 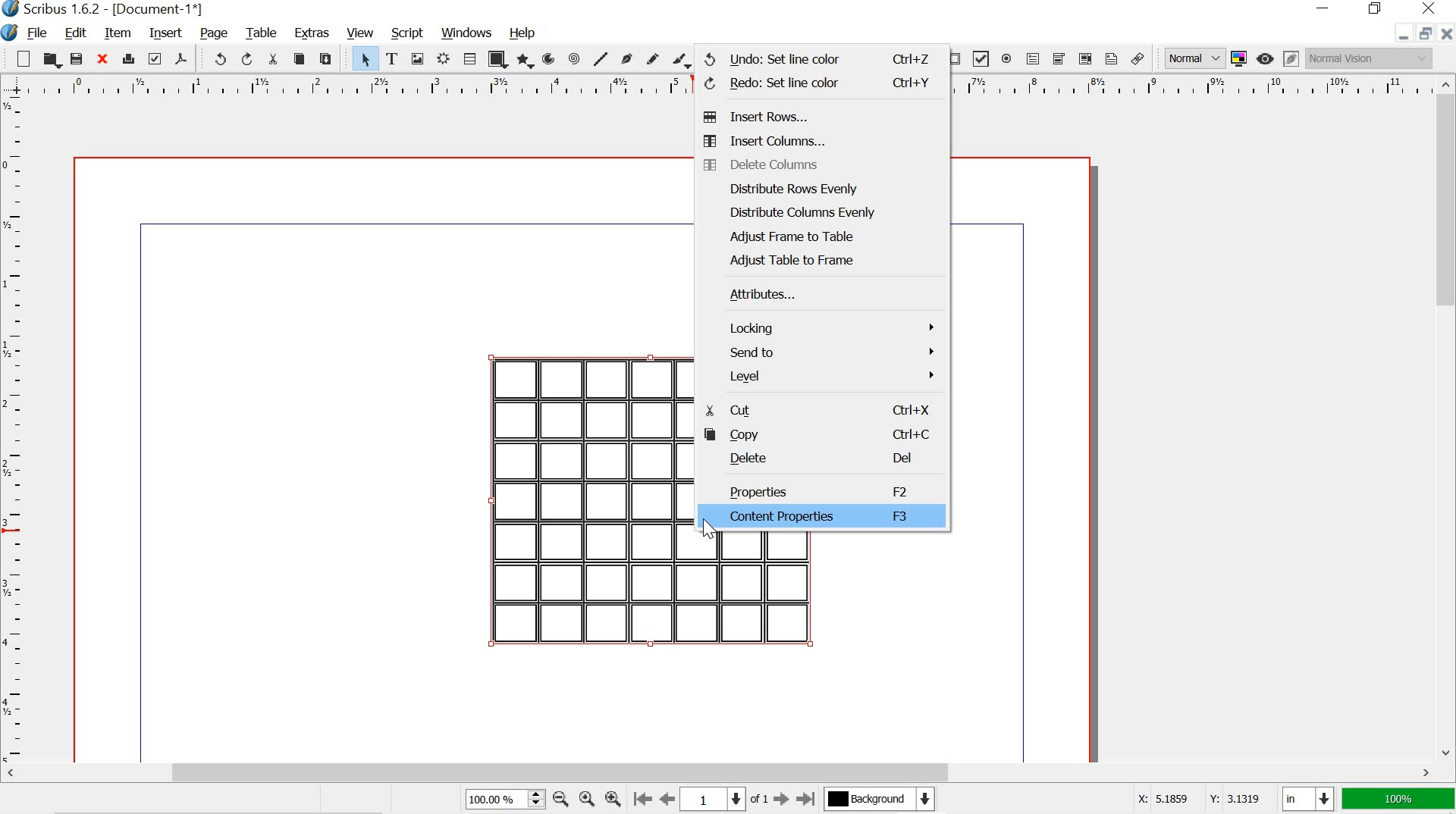 I want to click on distribute columns evenly, so click(x=824, y=213).